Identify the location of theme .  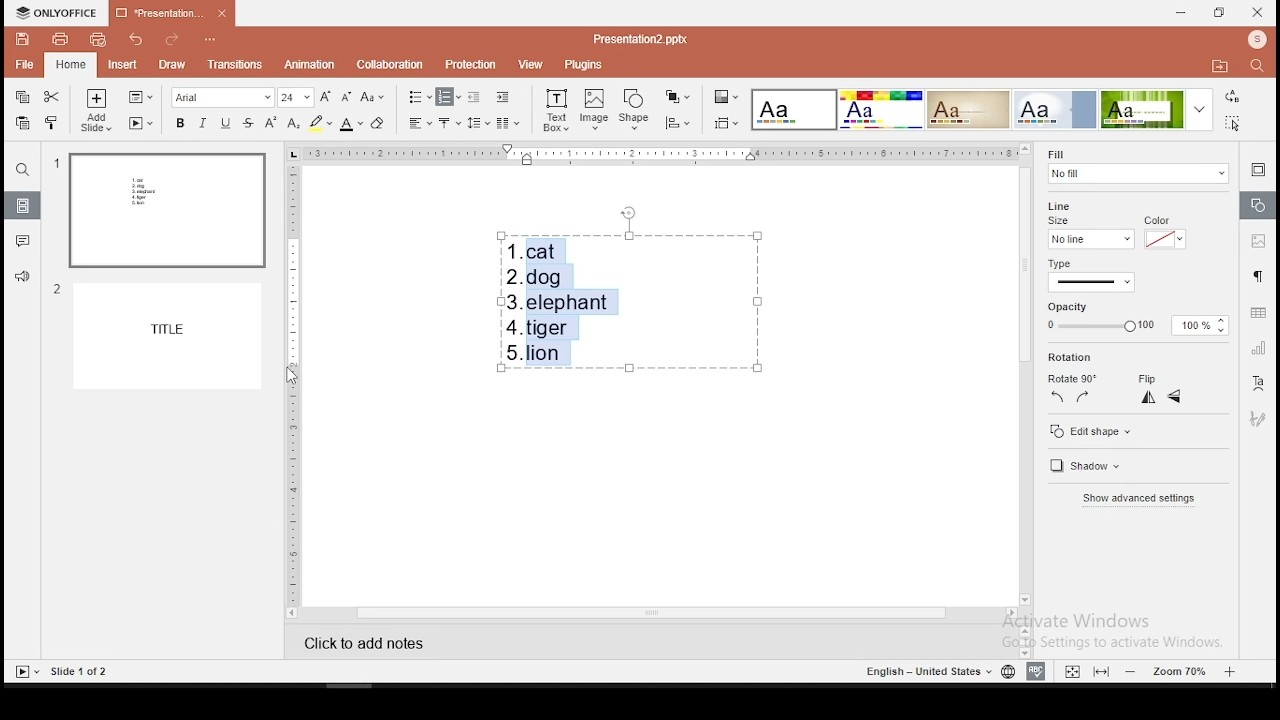
(968, 109).